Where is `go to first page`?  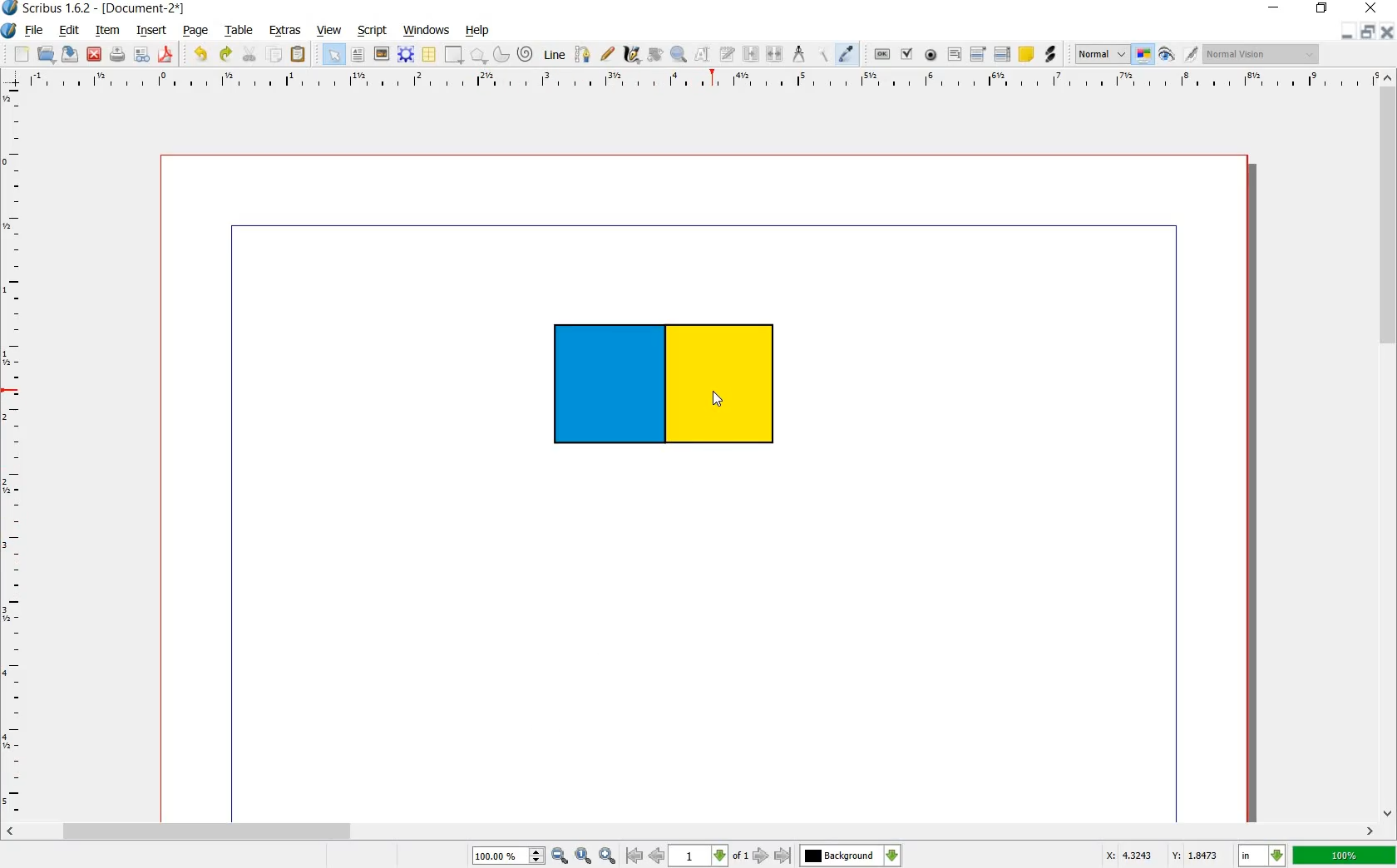
go to first page is located at coordinates (634, 856).